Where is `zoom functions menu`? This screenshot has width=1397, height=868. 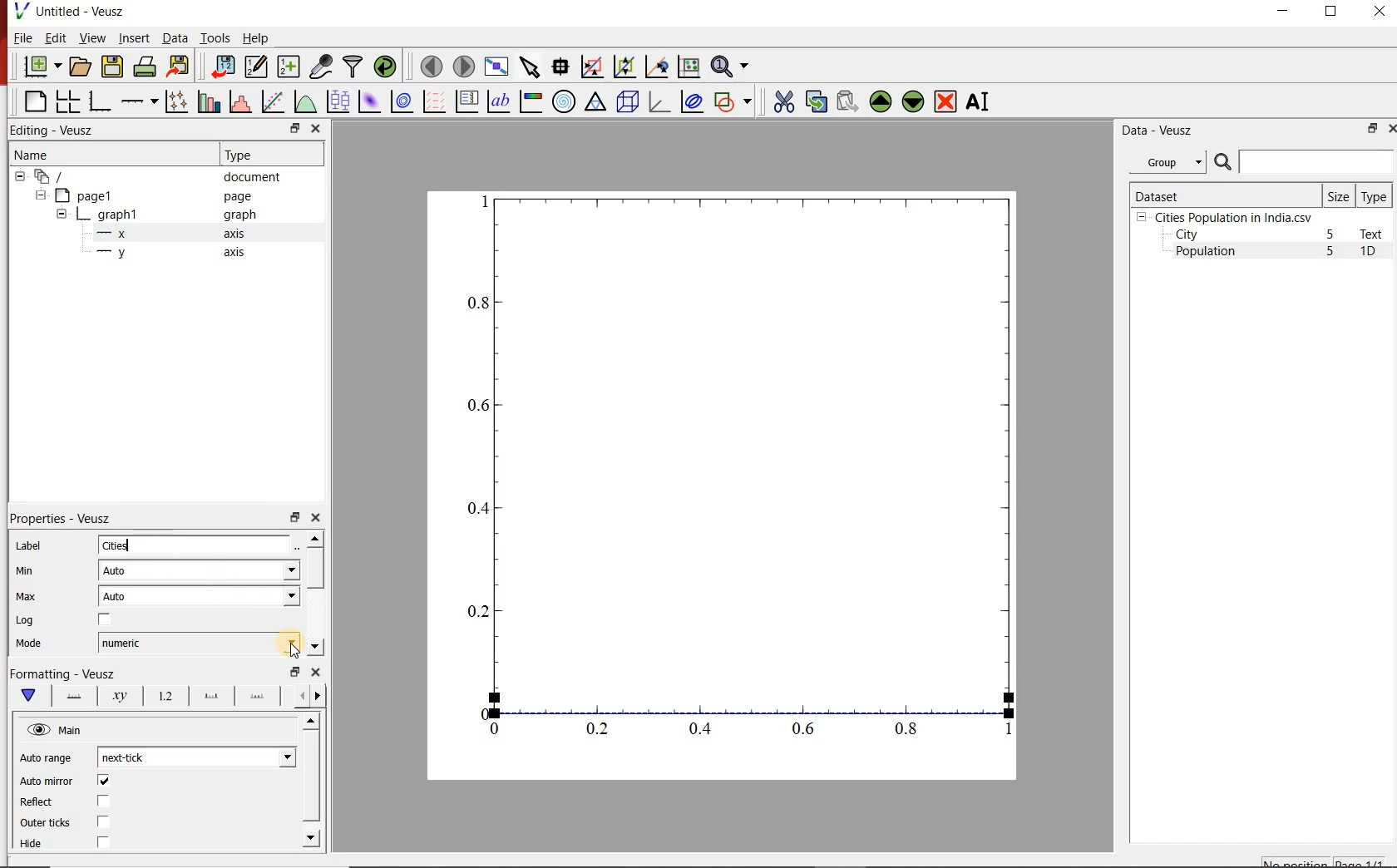
zoom functions menu is located at coordinates (733, 67).